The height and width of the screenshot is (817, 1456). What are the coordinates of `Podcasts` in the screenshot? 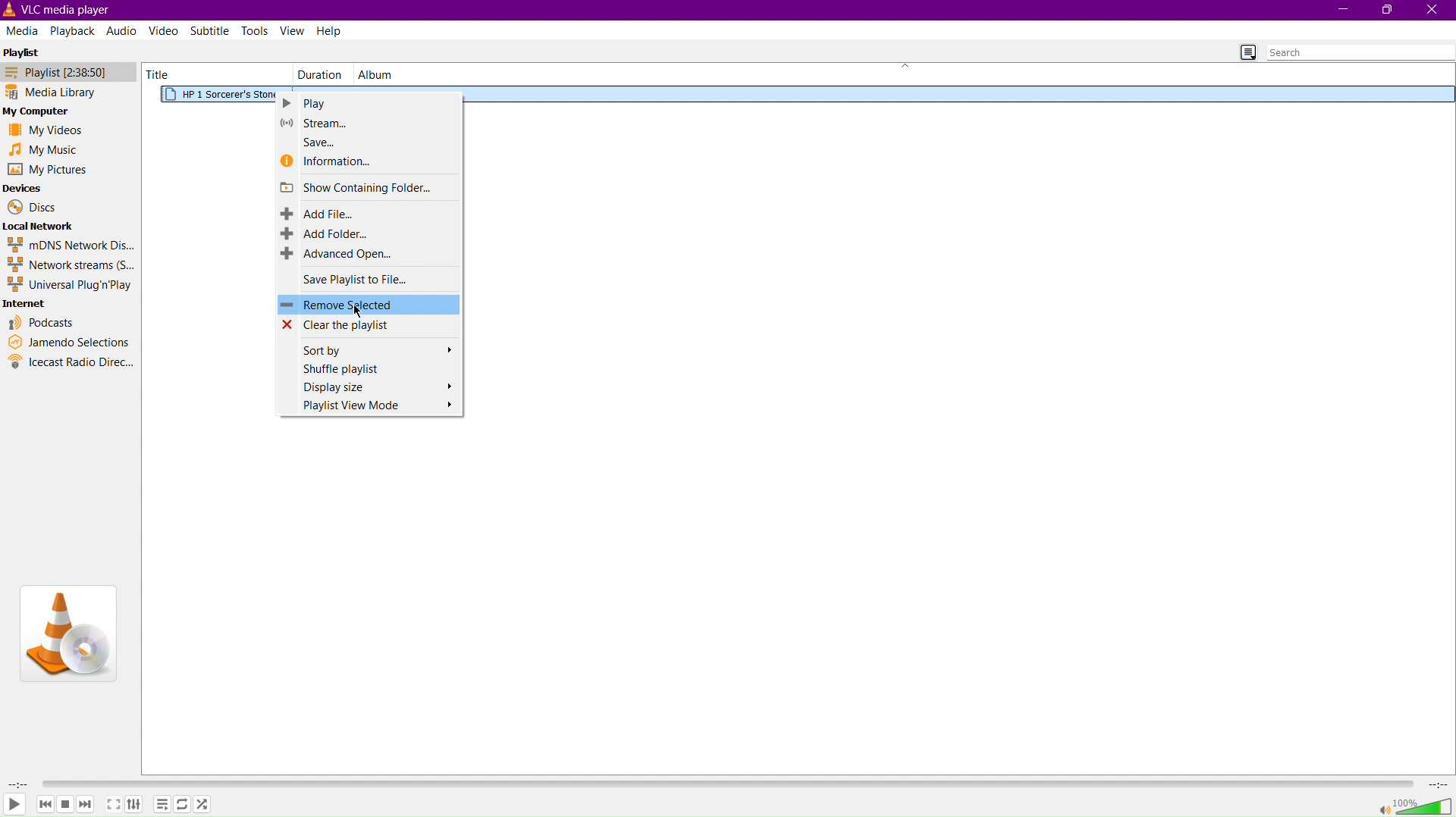 It's located at (41, 324).